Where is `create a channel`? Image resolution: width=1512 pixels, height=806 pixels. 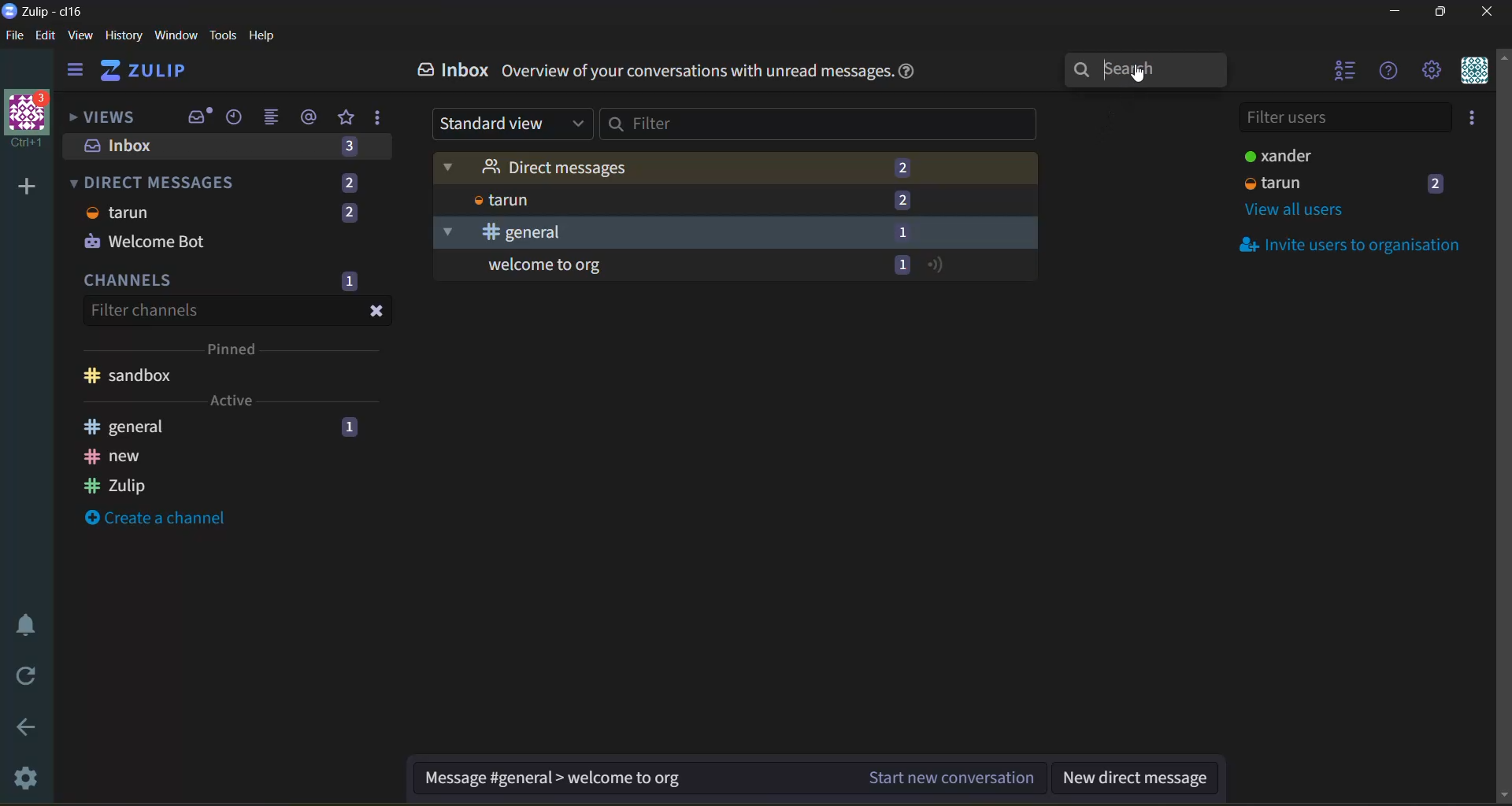
create a channel is located at coordinates (154, 517).